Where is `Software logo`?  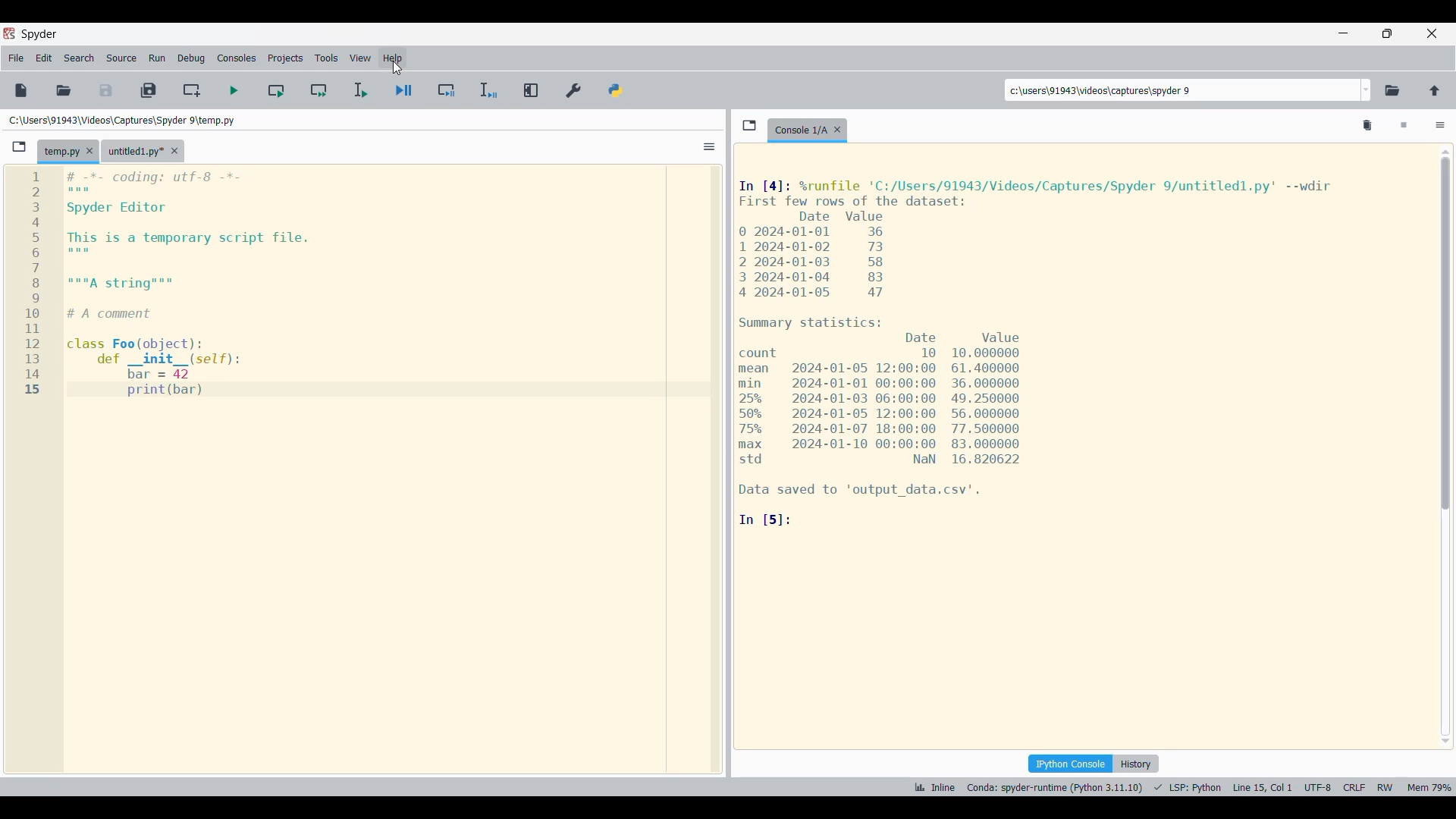 Software logo is located at coordinates (9, 33).